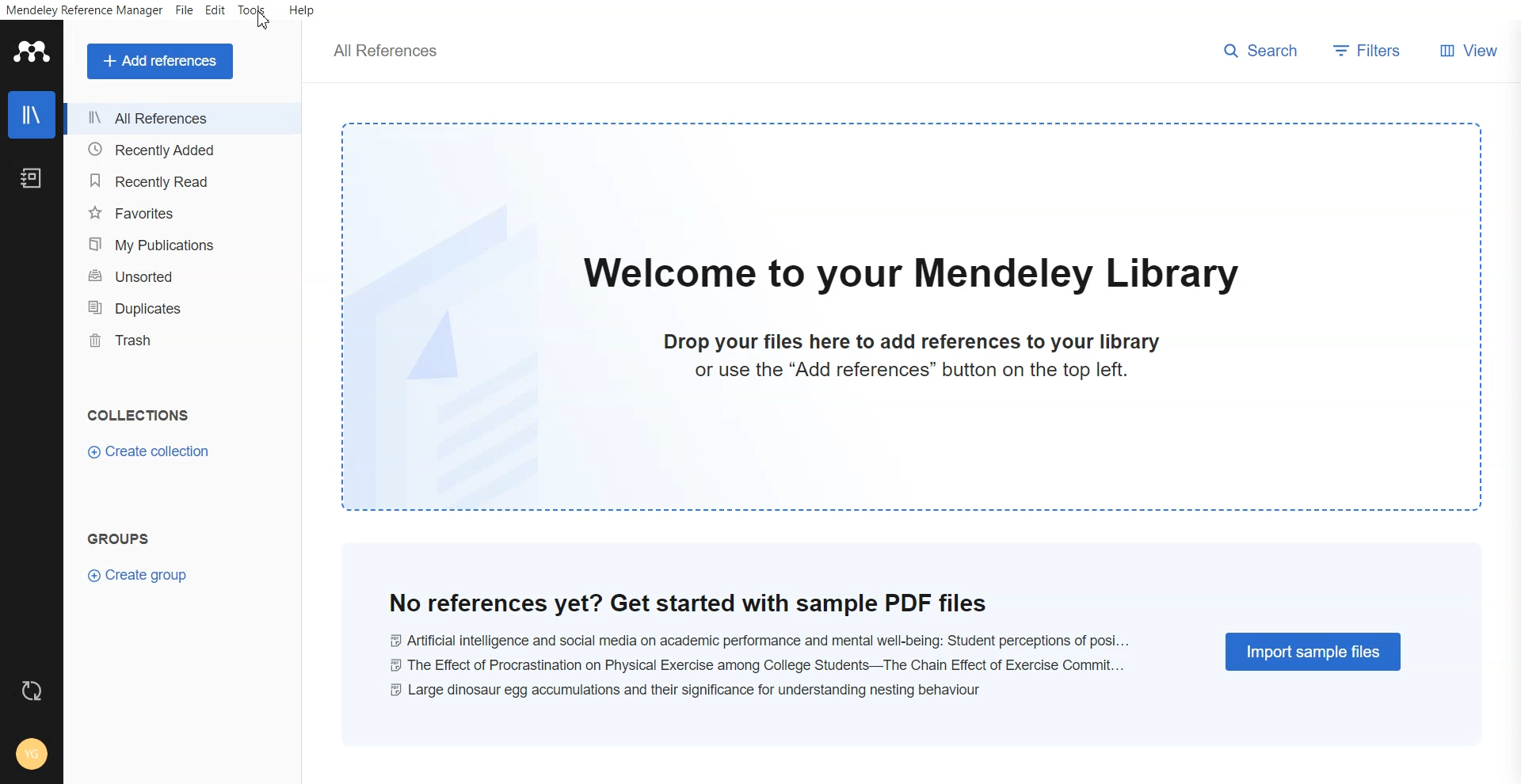 The height and width of the screenshot is (784, 1521). What do you see at coordinates (162, 62) in the screenshot?
I see `Add references` at bounding box center [162, 62].